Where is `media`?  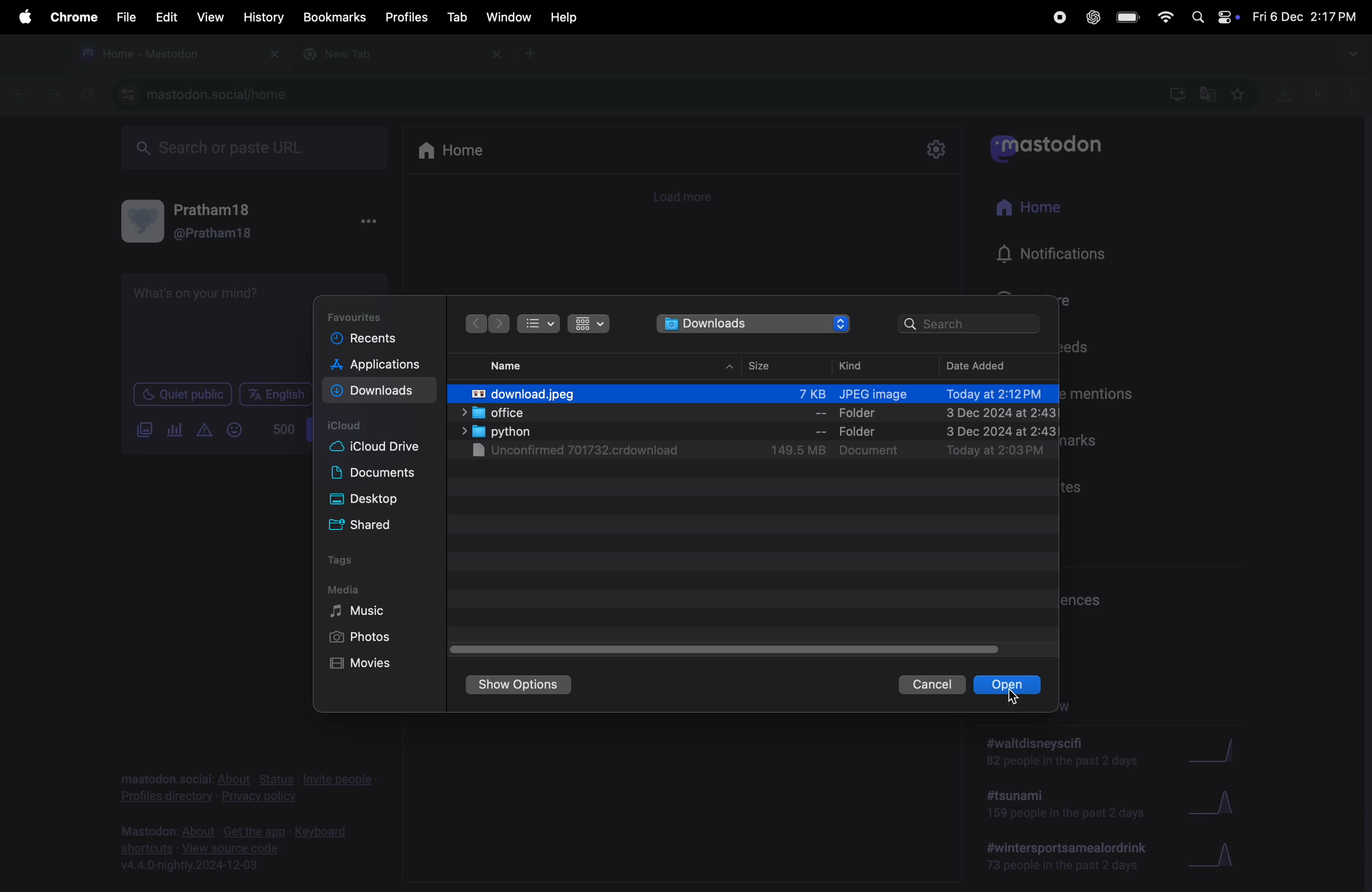 media is located at coordinates (346, 590).